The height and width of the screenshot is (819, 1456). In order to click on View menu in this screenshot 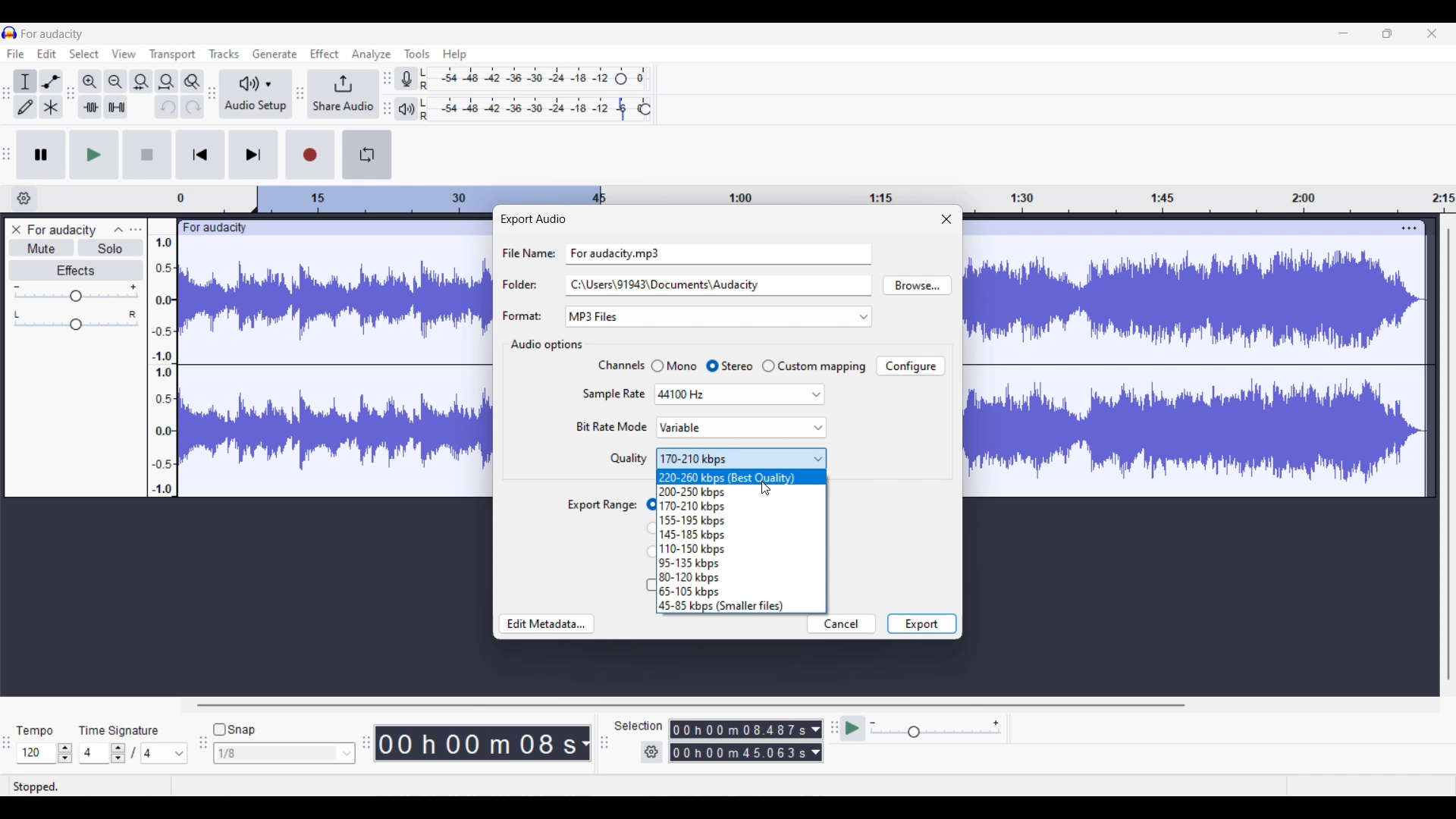, I will do `click(124, 54)`.